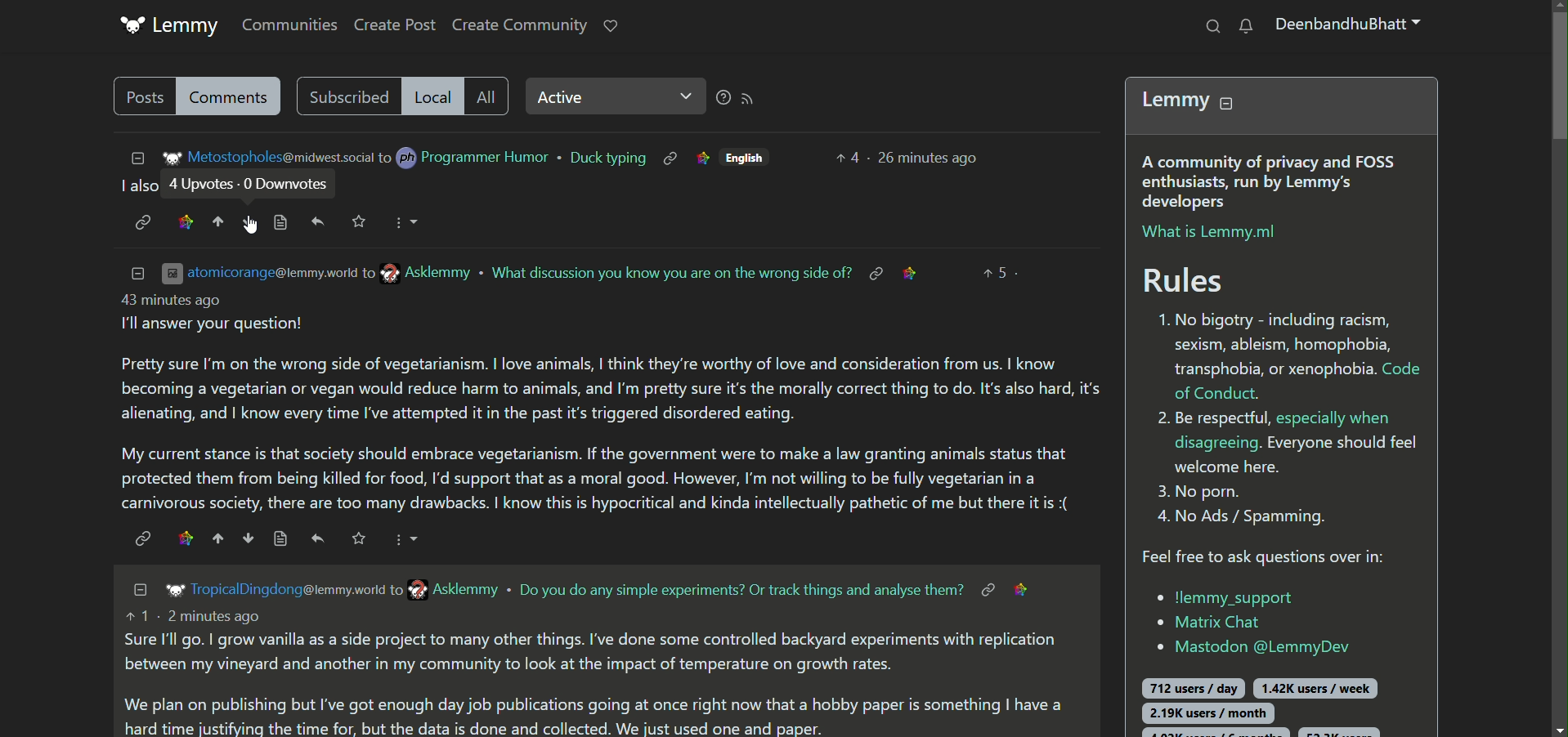 This screenshot has width=1568, height=737. Describe the element at coordinates (359, 538) in the screenshot. I see `bookmark` at that location.